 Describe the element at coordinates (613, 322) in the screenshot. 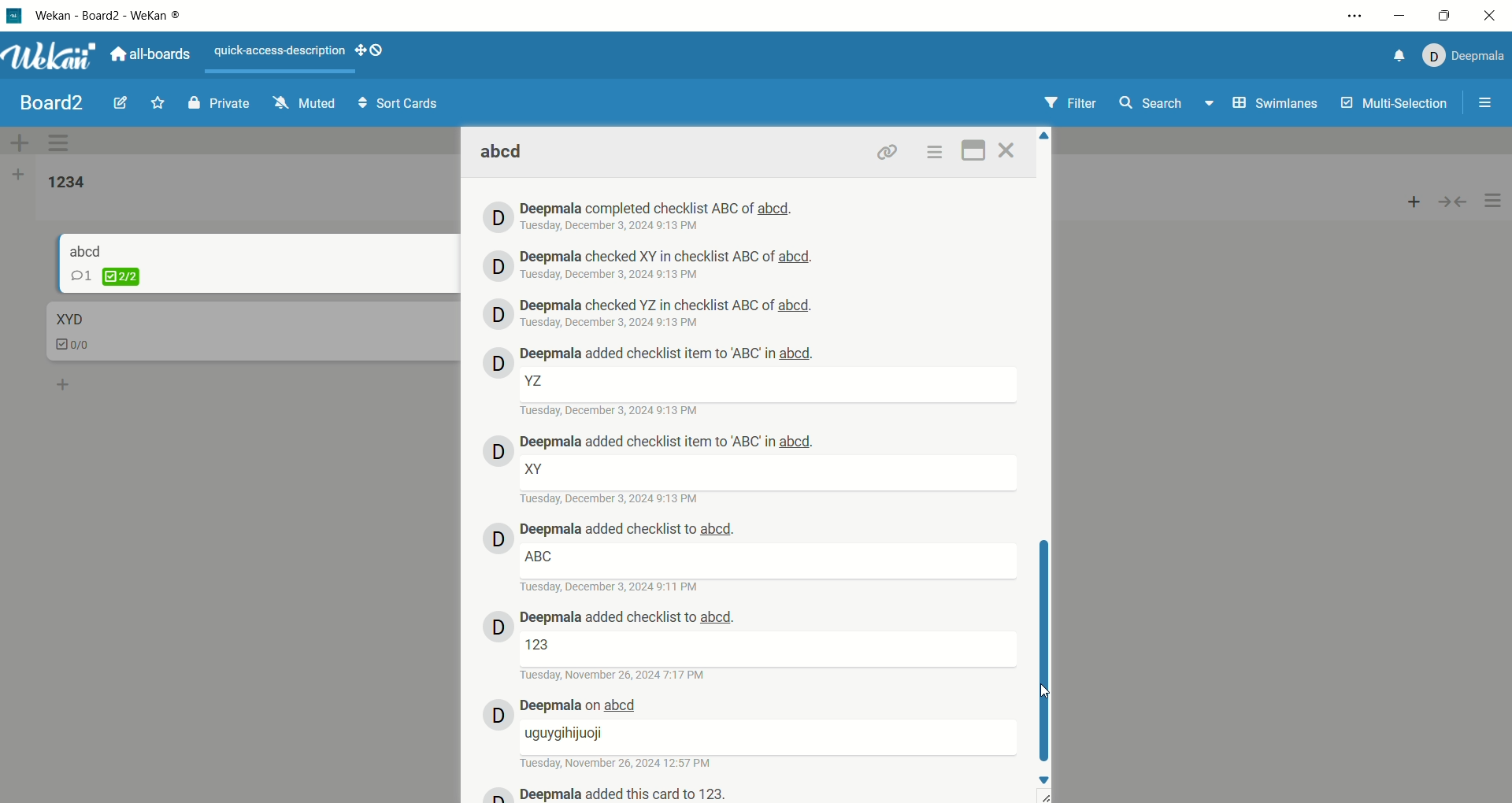

I see `date and time` at that location.